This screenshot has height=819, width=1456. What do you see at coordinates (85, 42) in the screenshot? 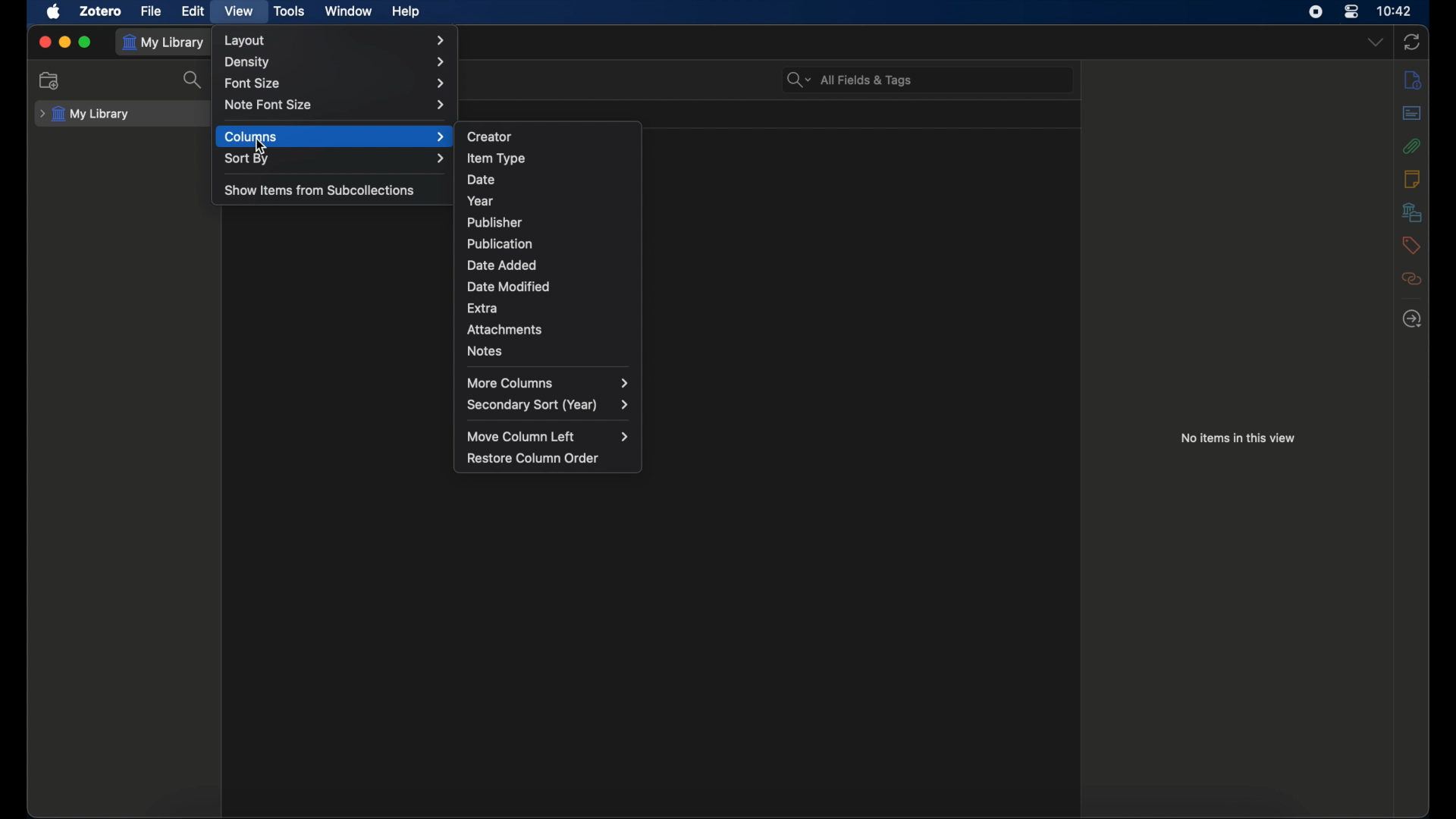
I see `maximize` at bounding box center [85, 42].